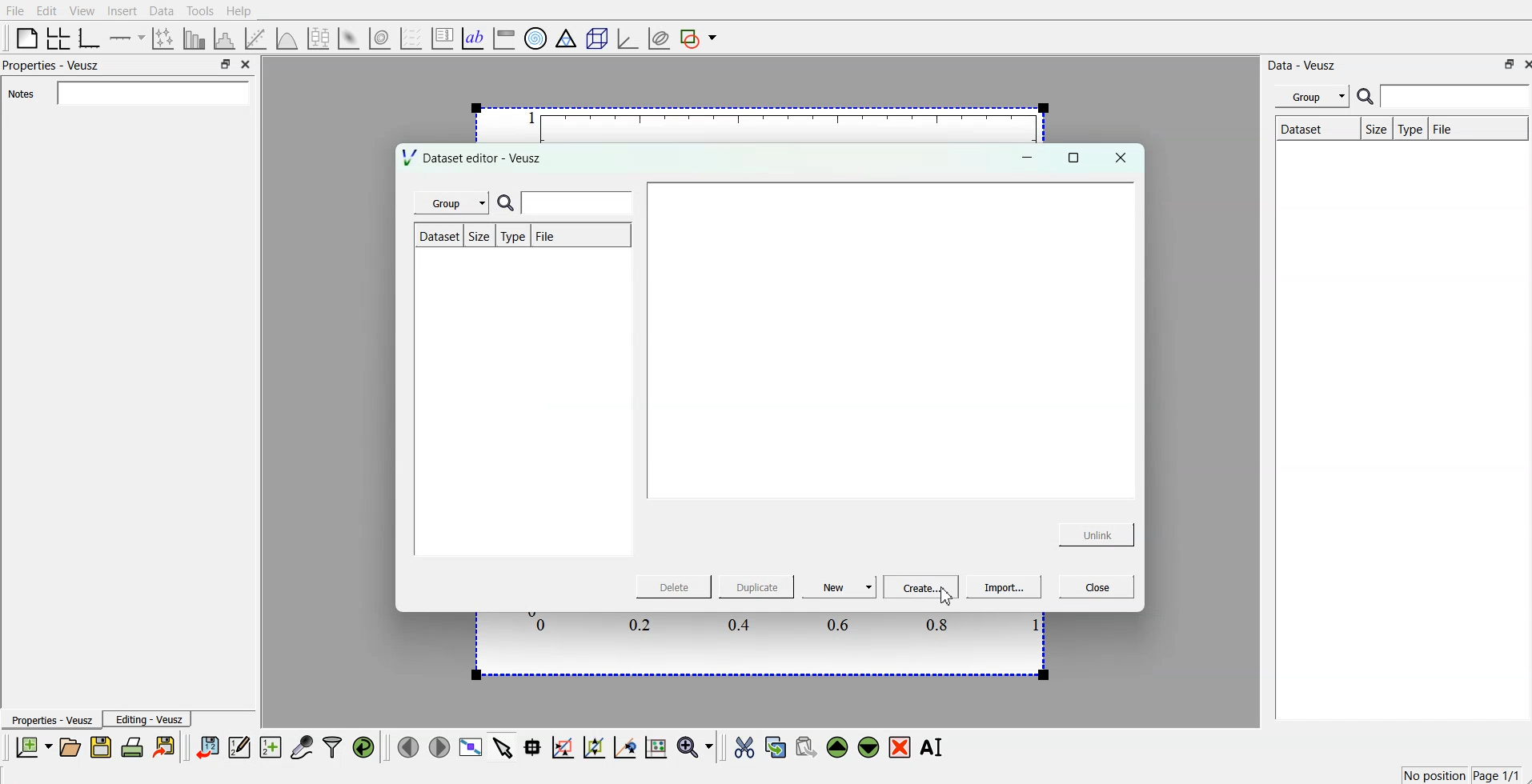 This screenshot has width=1532, height=784. Describe the element at coordinates (92, 36) in the screenshot. I see `base graphs` at that location.